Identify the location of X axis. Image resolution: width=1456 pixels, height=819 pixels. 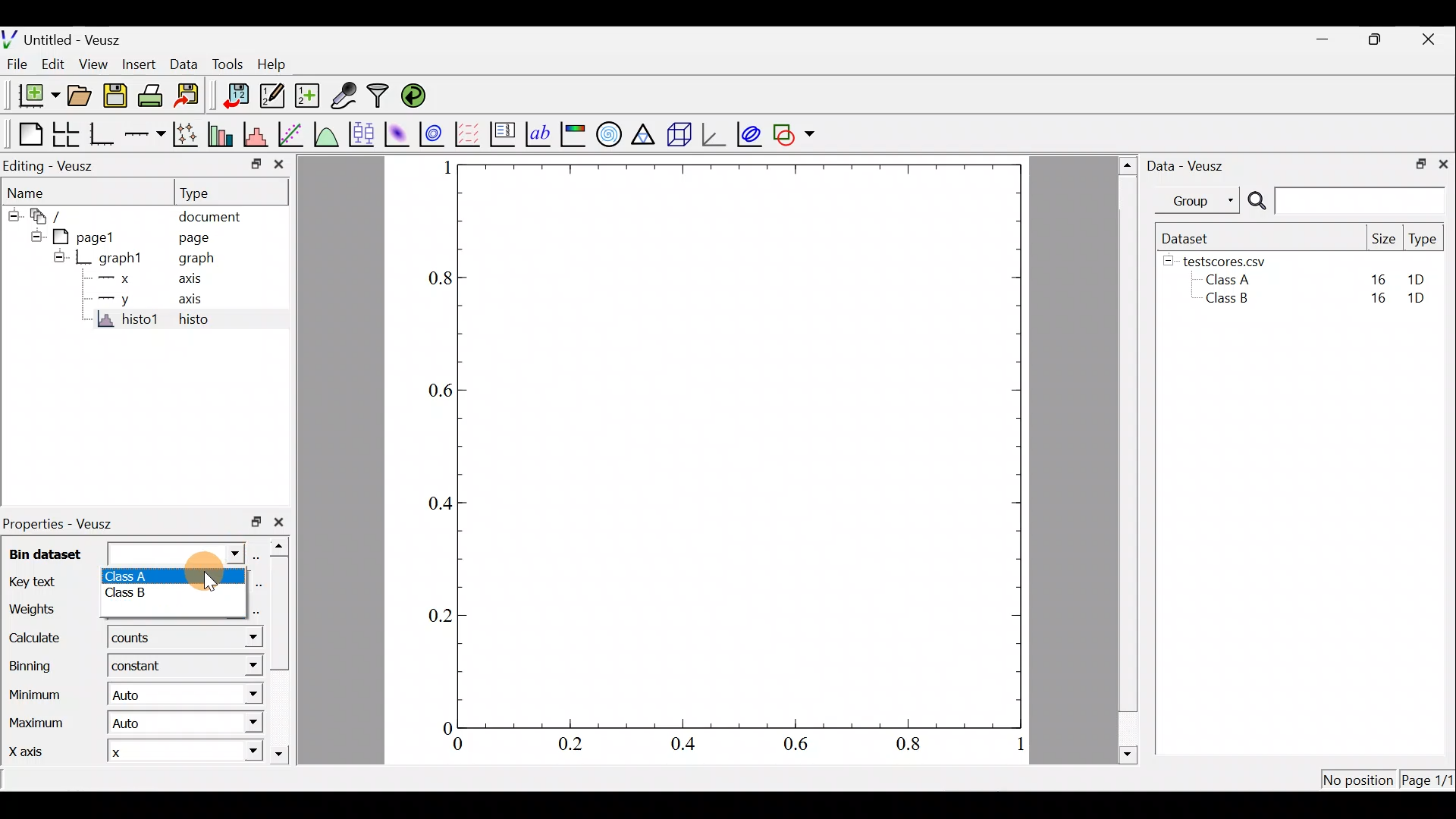
(33, 754).